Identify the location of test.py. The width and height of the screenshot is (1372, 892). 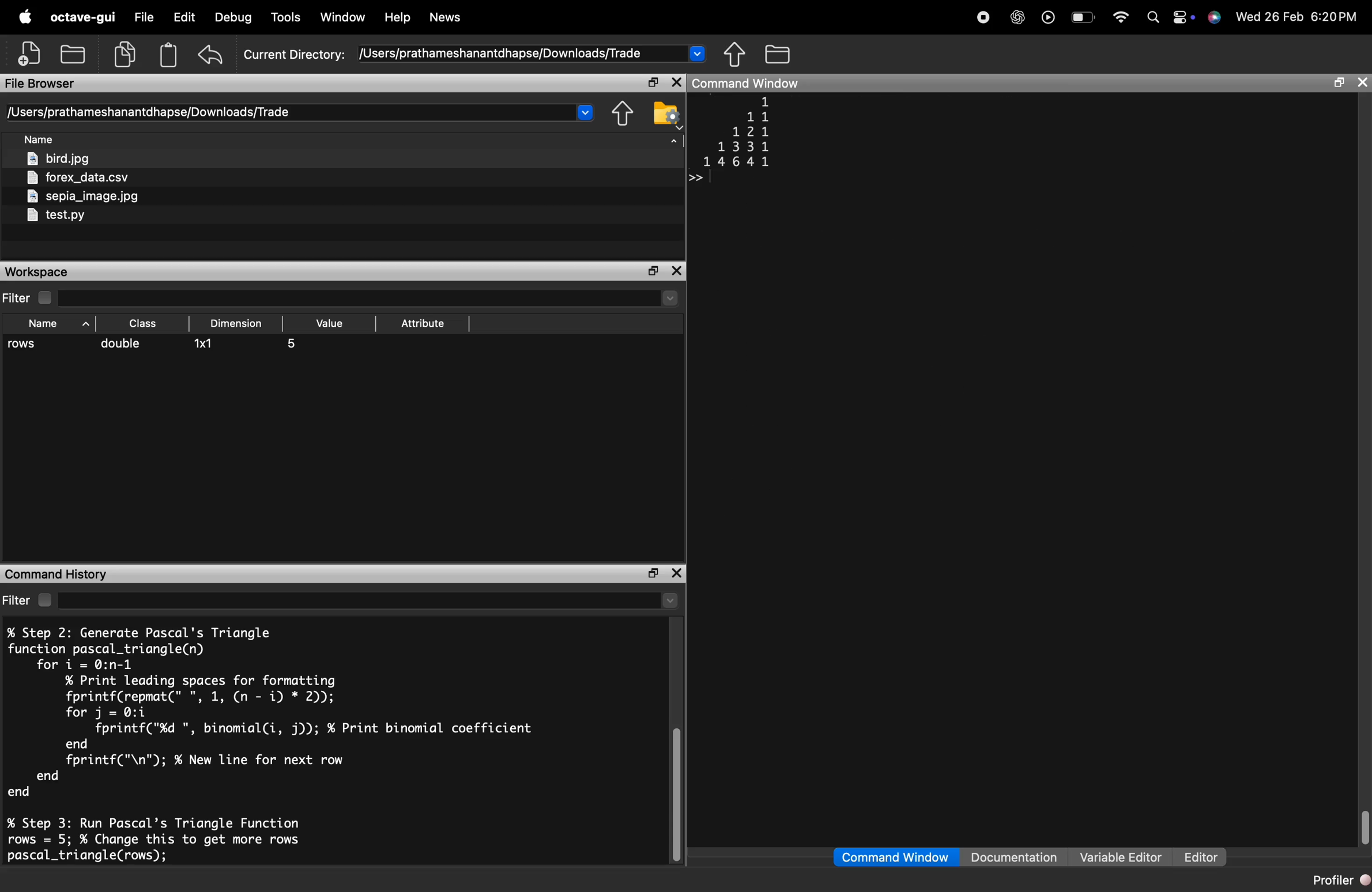
(55, 216).